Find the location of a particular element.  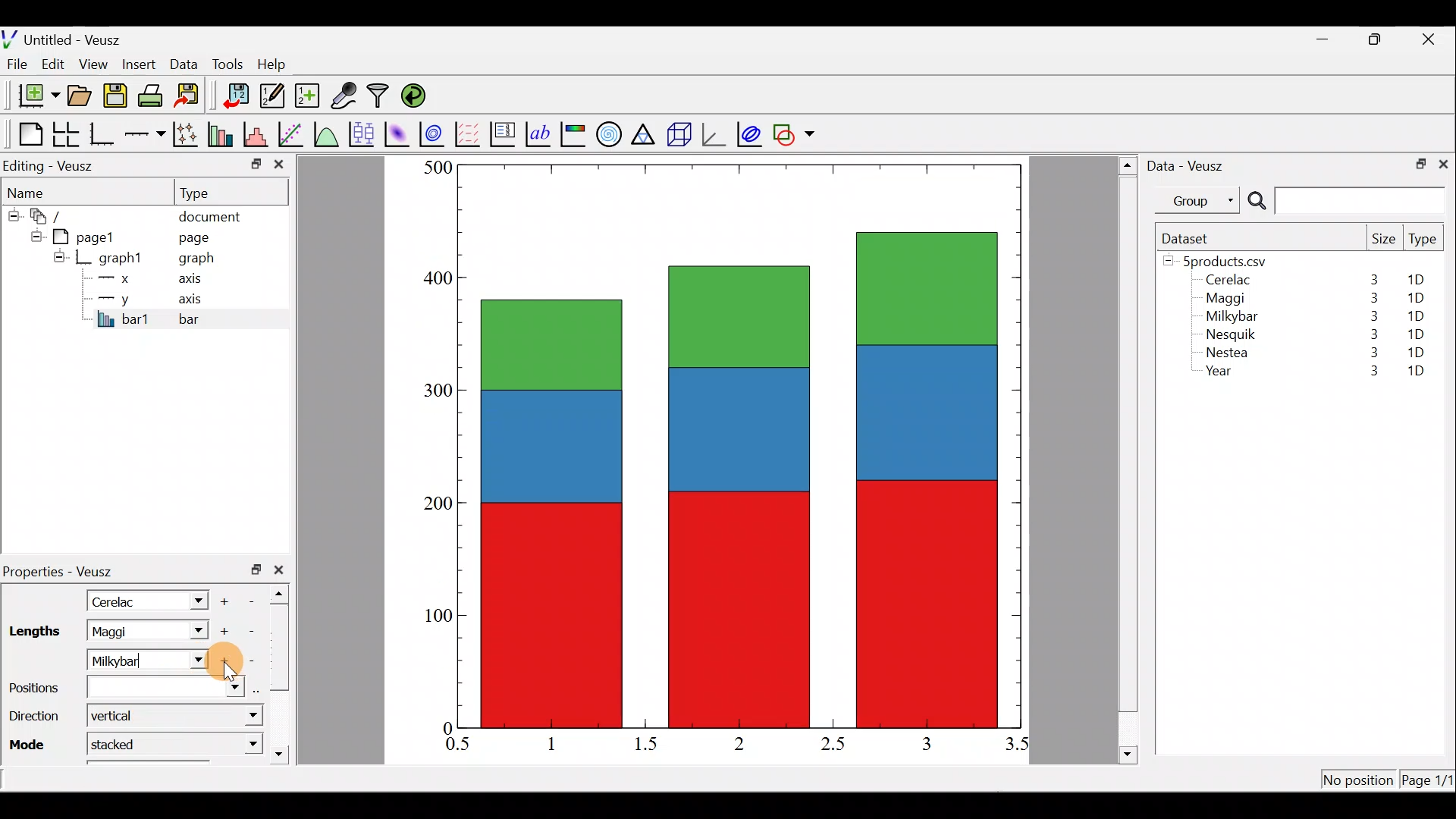

Image color bar is located at coordinates (574, 133).